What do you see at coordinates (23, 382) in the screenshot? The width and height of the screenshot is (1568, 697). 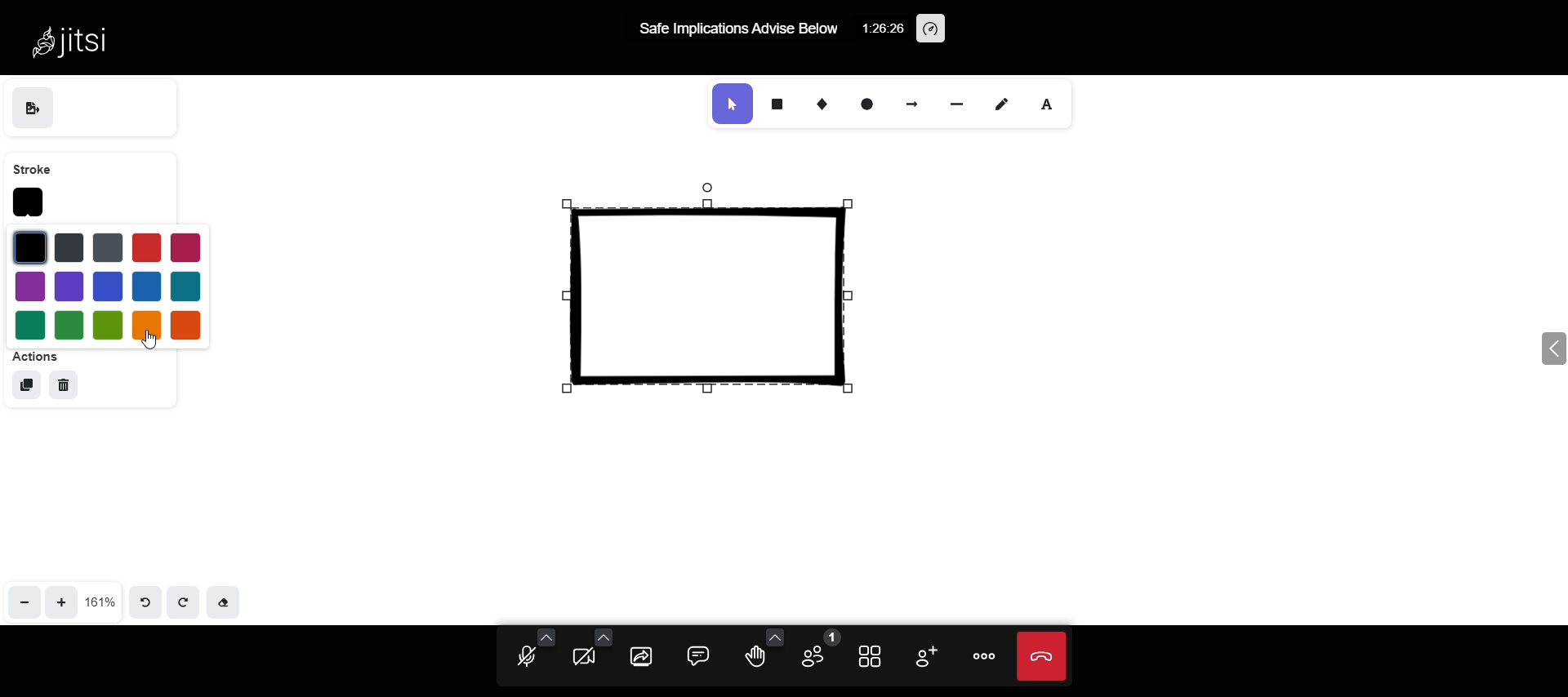 I see `duplicate` at bounding box center [23, 382].